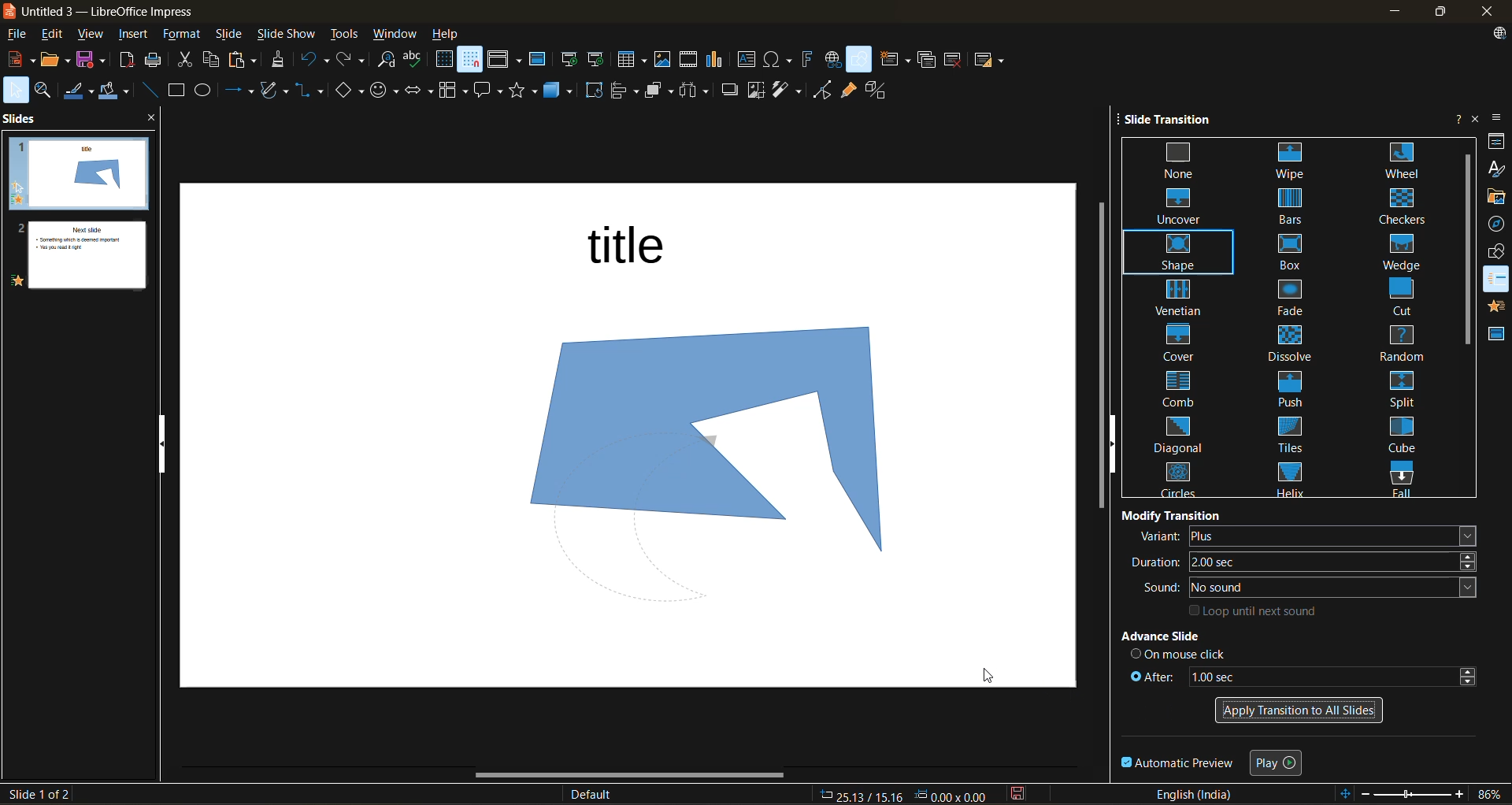 This screenshot has width=1512, height=805. I want to click on loop until next sound, so click(1257, 610).